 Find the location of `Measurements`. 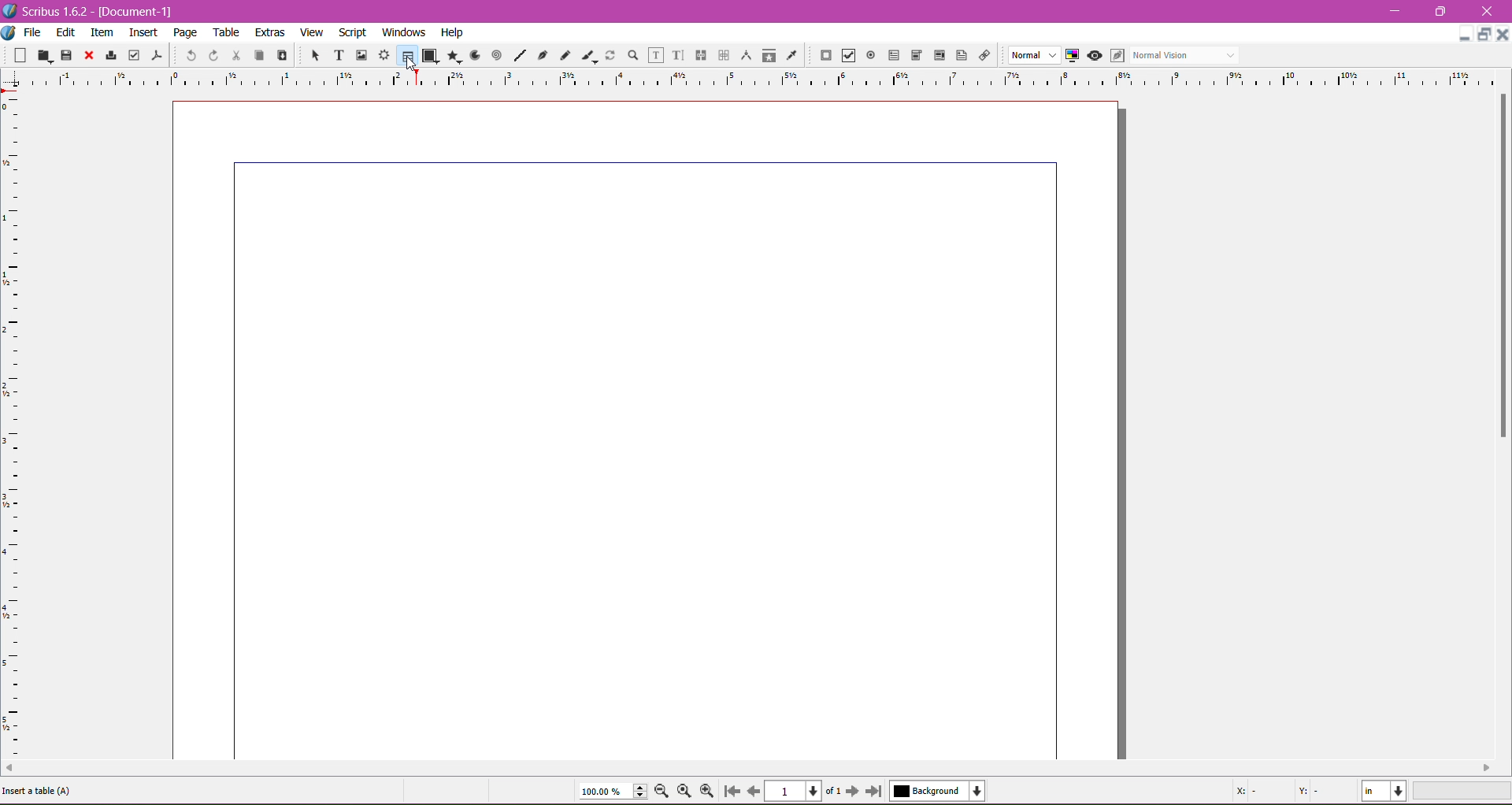

Measurements is located at coordinates (744, 56).